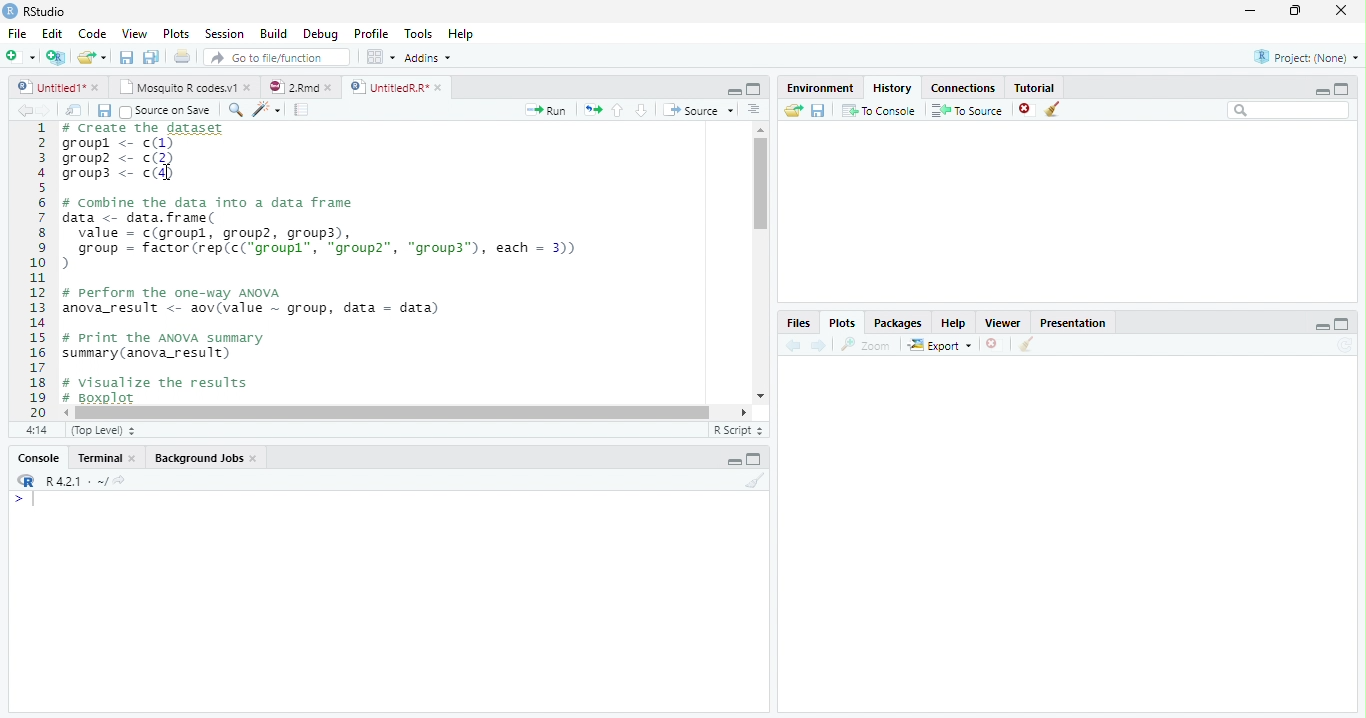  I want to click on Delete file, so click(1028, 109).